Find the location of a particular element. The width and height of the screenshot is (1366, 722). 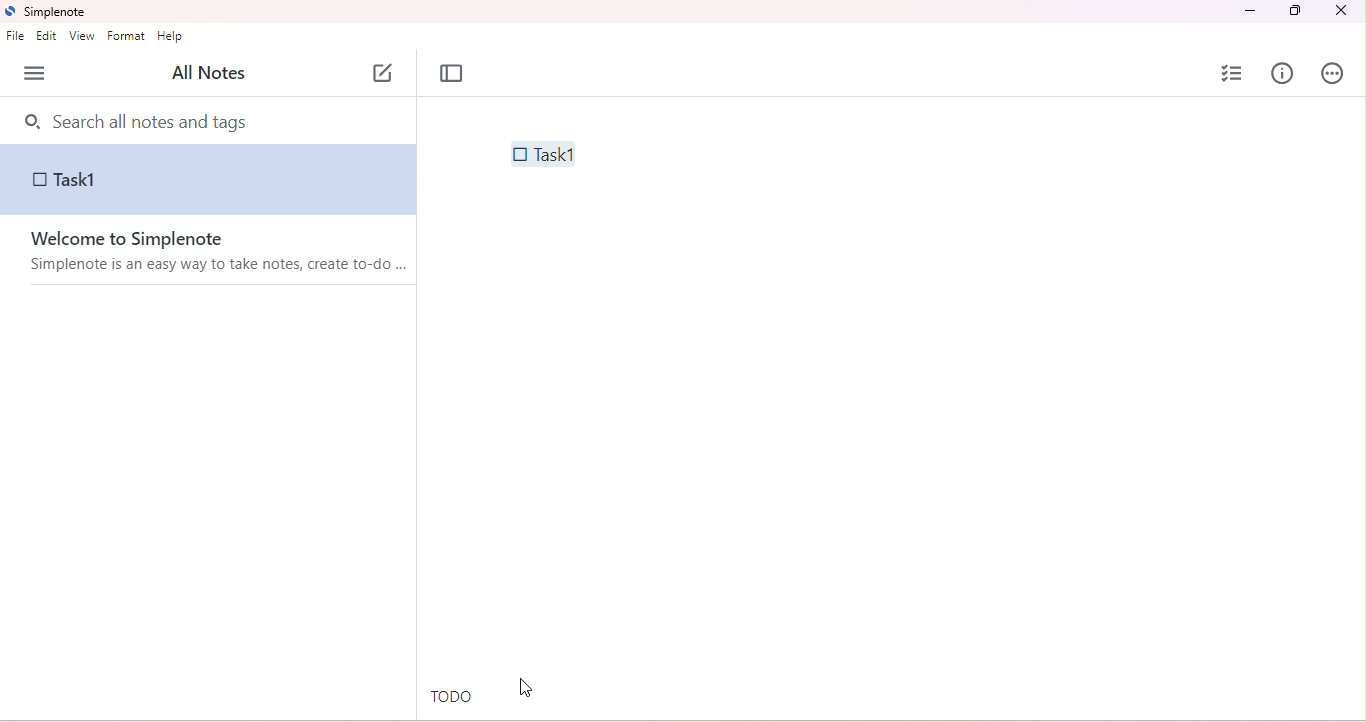

note is located at coordinates (209, 182).